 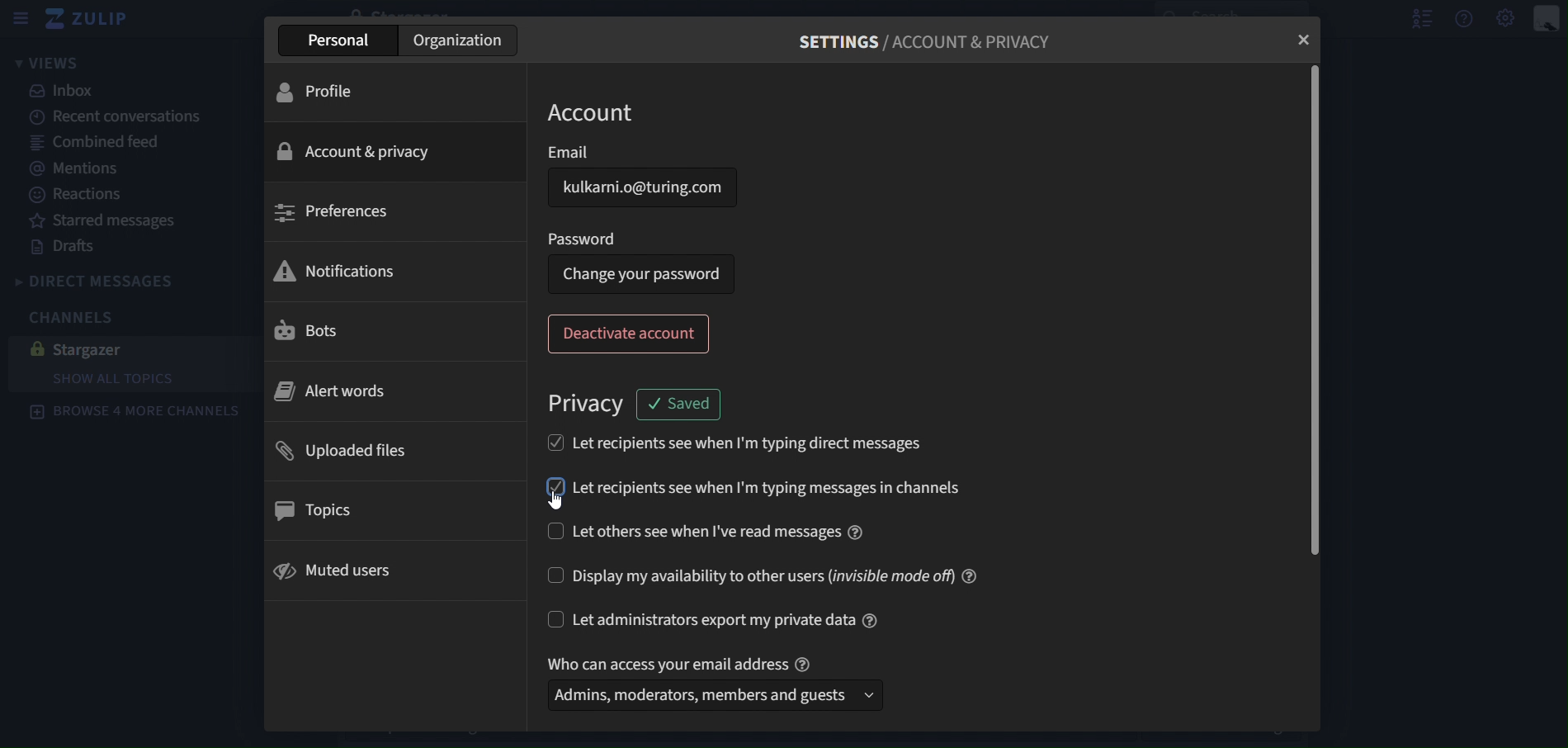 I want to click on email, so click(x=588, y=150).